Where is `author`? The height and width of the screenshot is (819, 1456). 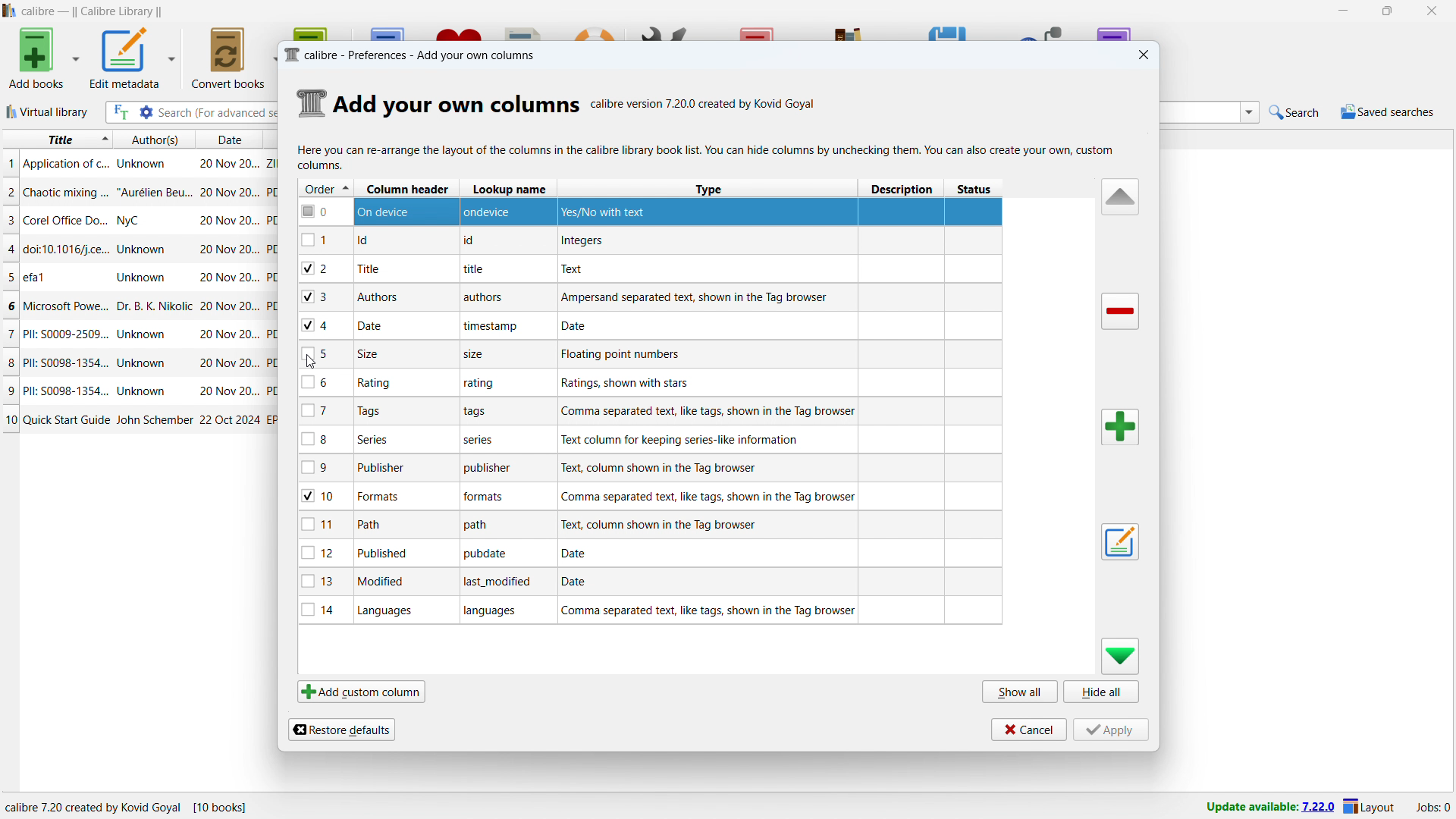 author is located at coordinates (155, 192).